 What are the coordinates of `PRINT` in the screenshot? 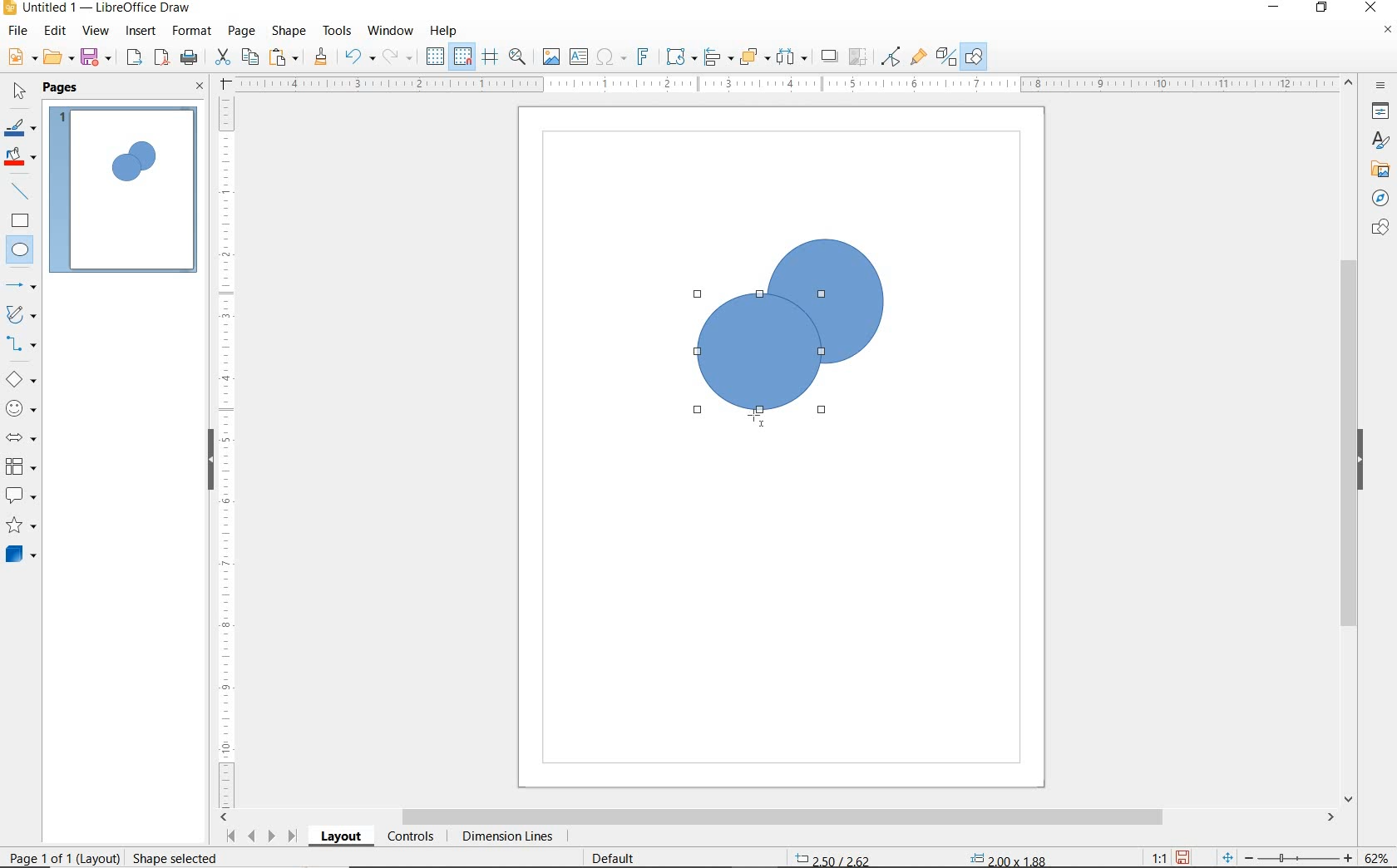 It's located at (190, 57).